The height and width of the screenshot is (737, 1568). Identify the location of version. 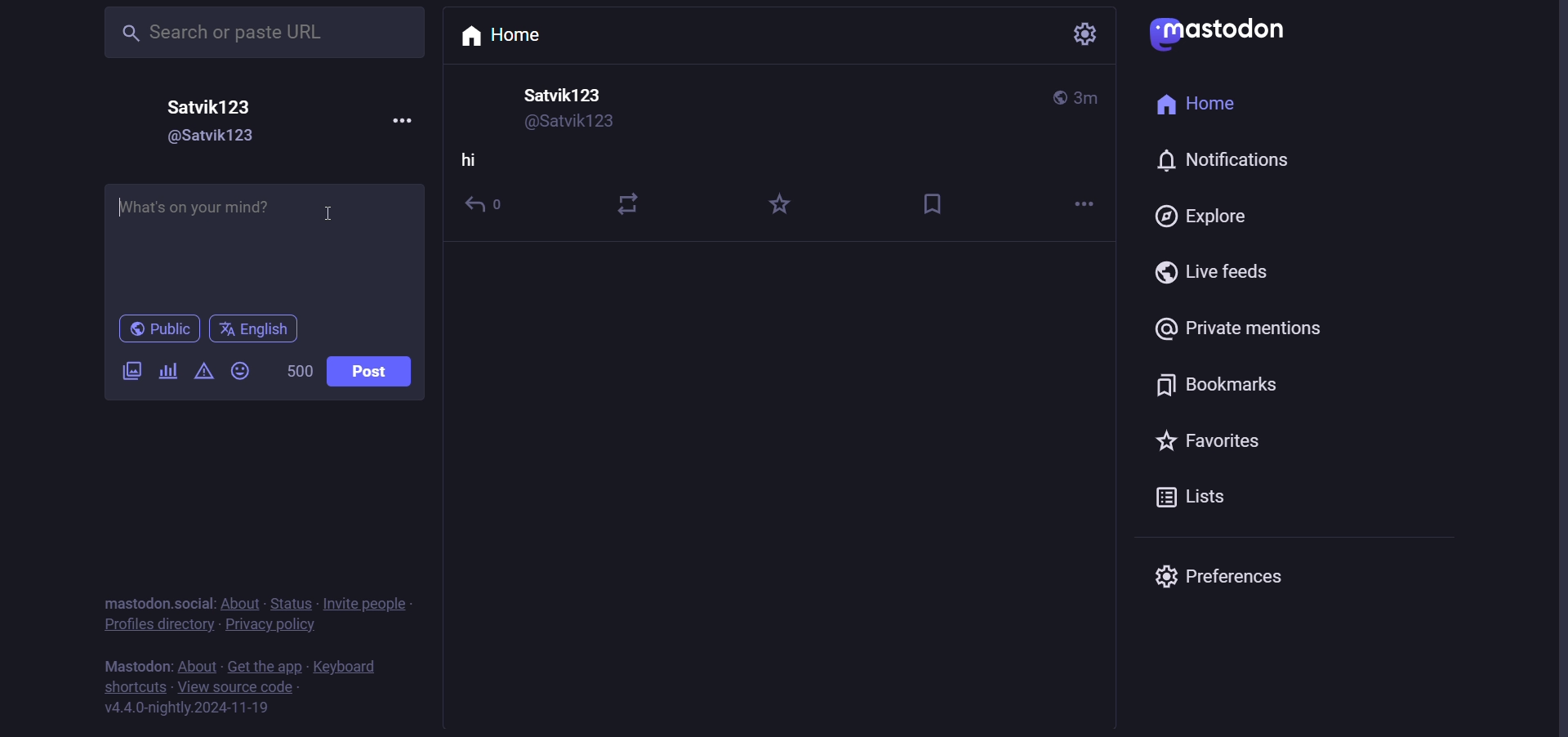
(185, 708).